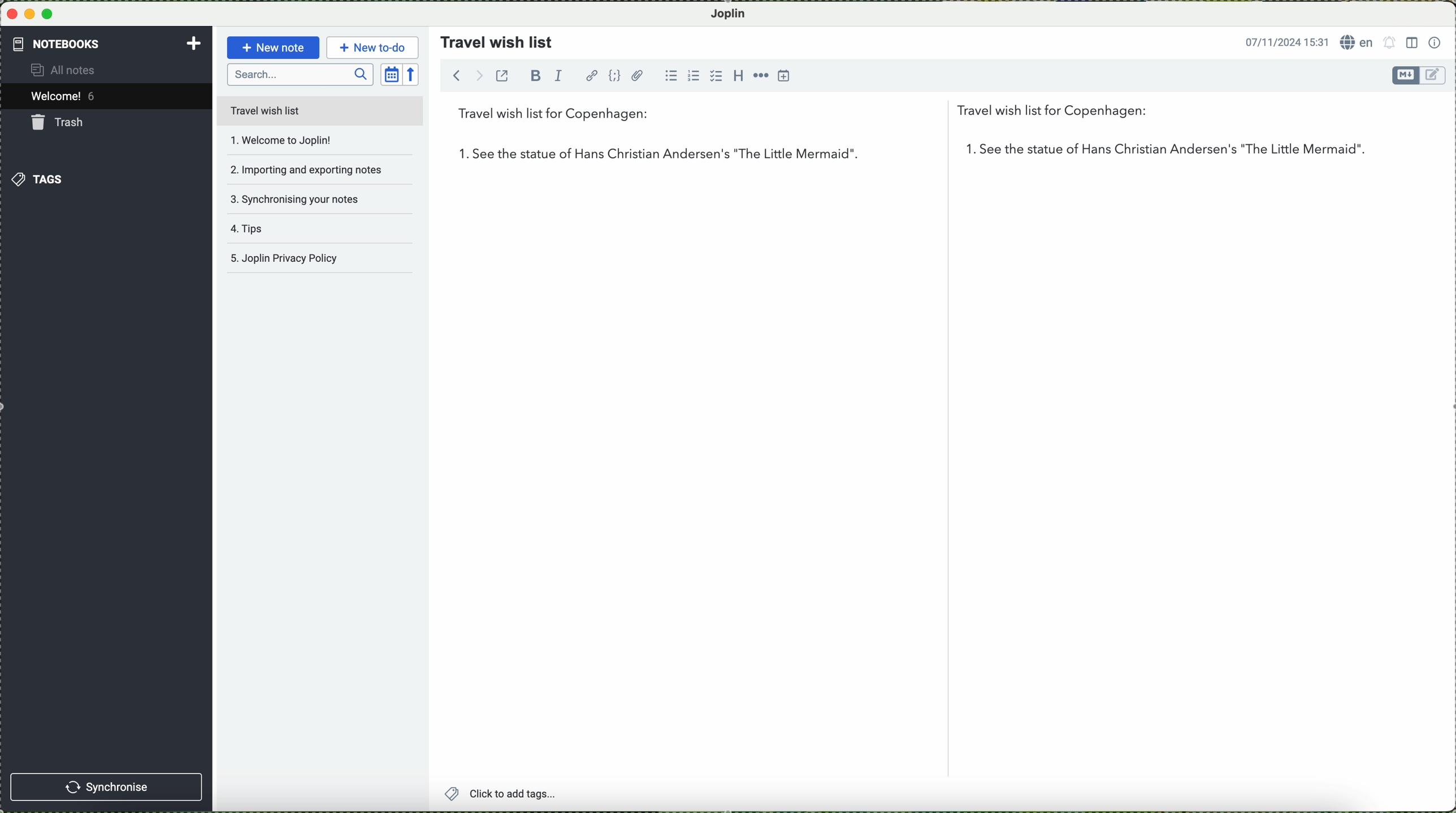 Image resolution: width=1456 pixels, height=813 pixels. What do you see at coordinates (39, 179) in the screenshot?
I see `tags` at bounding box center [39, 179].